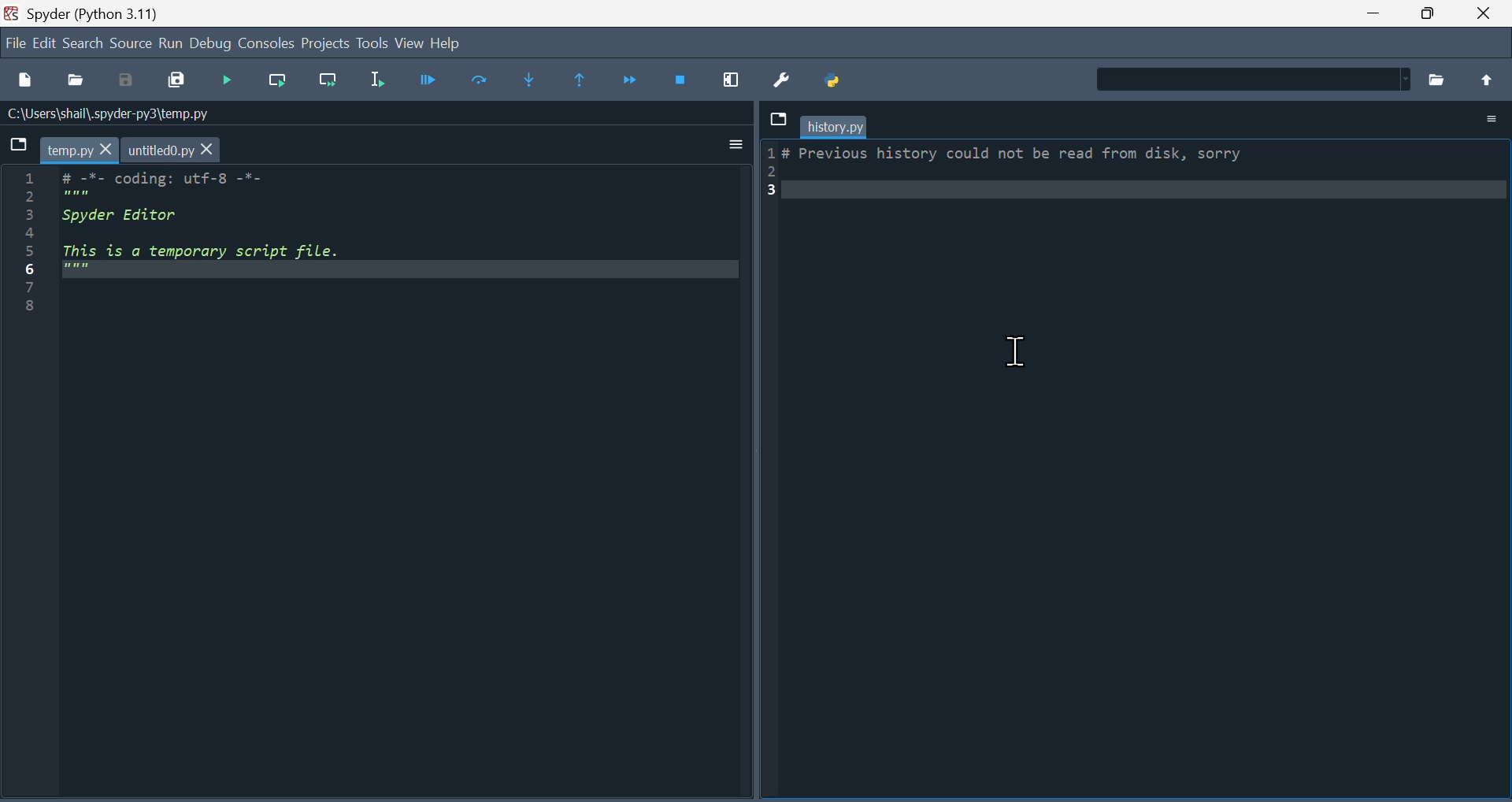  What do you see at coordinates (265, 41) in the screenshot?
I see `Consol` at bounding box center [265, 41].